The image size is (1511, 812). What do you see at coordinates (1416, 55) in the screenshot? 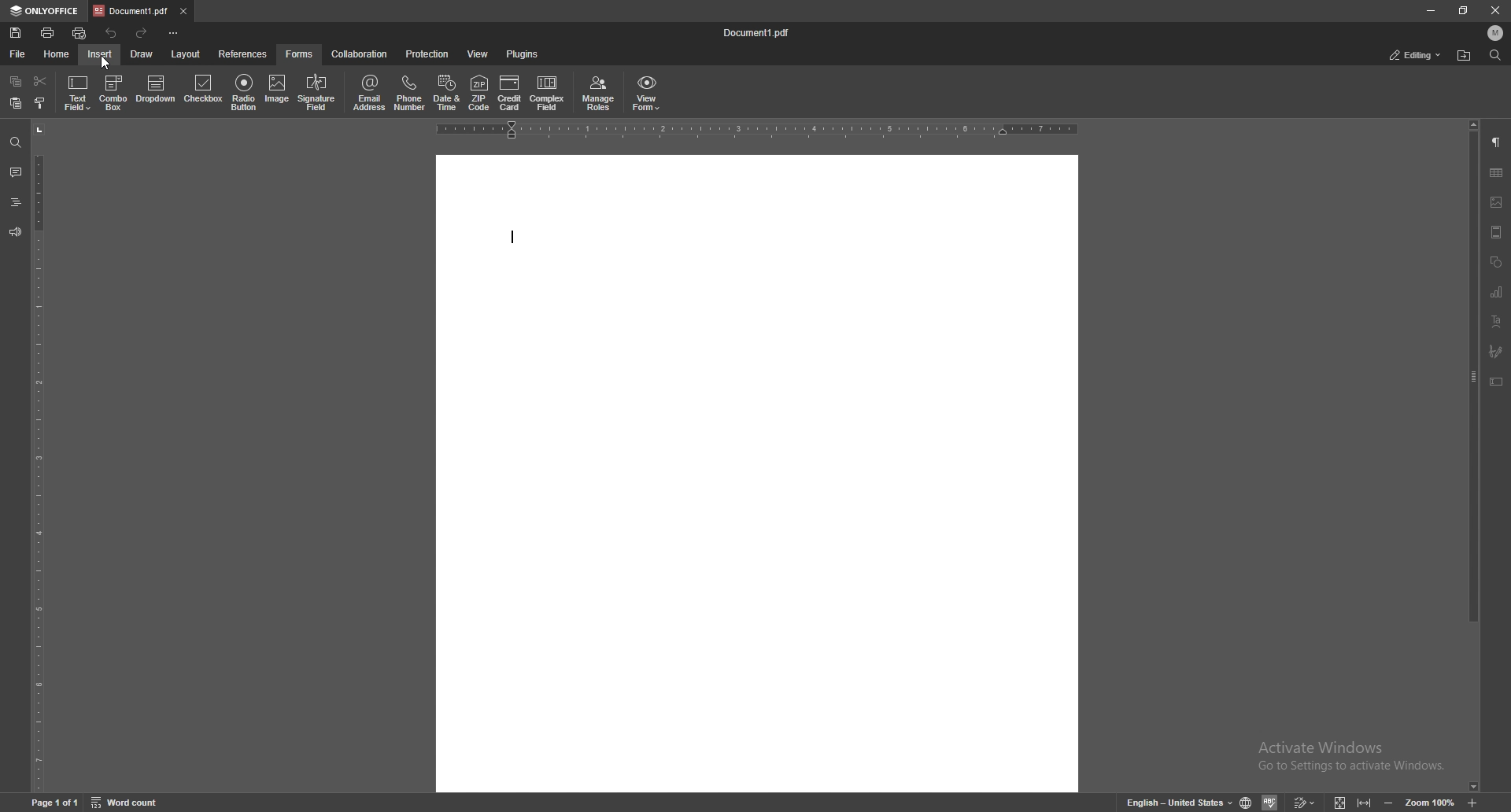
I see `status` at bounding box center [1416, 55].